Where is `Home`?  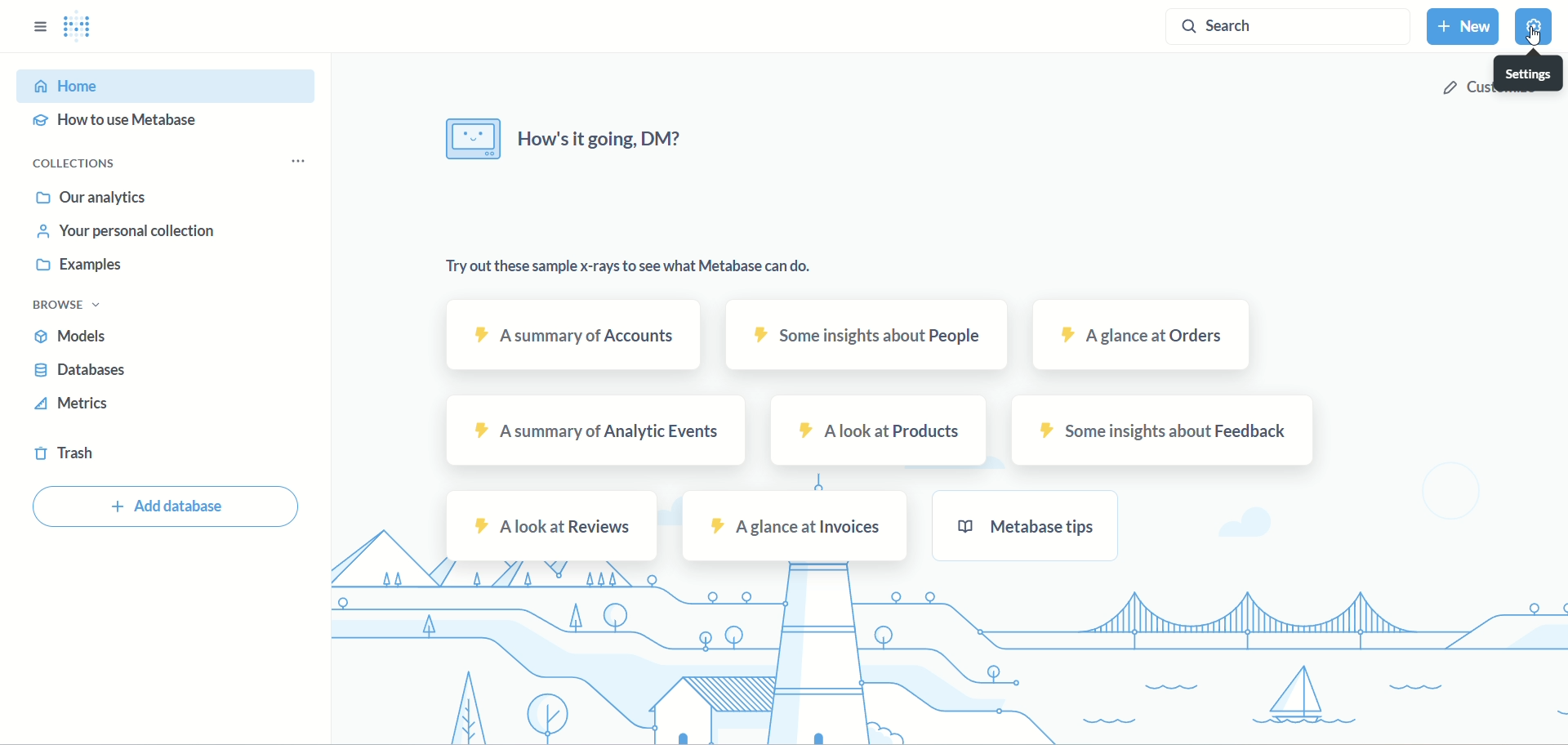 Home is located at coordinates (168, 85).